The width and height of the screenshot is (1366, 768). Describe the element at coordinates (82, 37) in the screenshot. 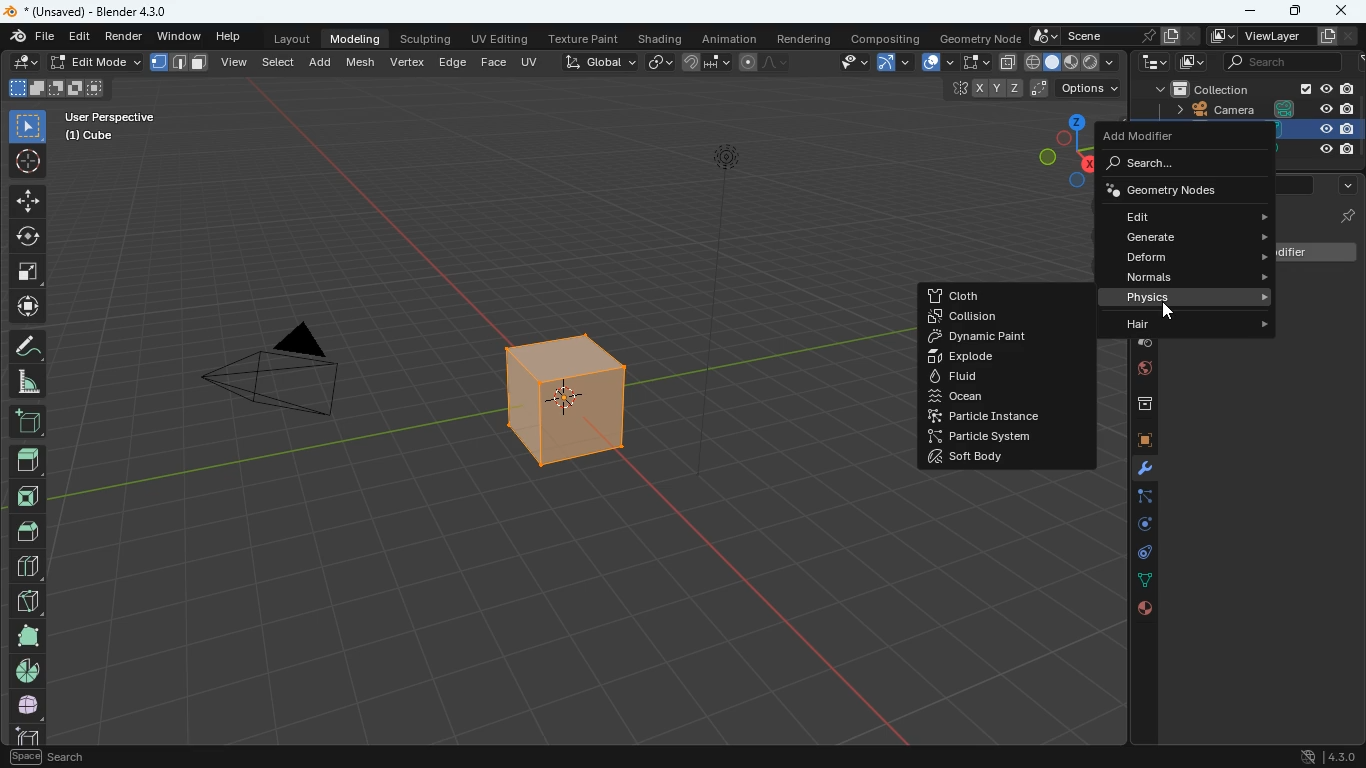

I see `edit` at that location.